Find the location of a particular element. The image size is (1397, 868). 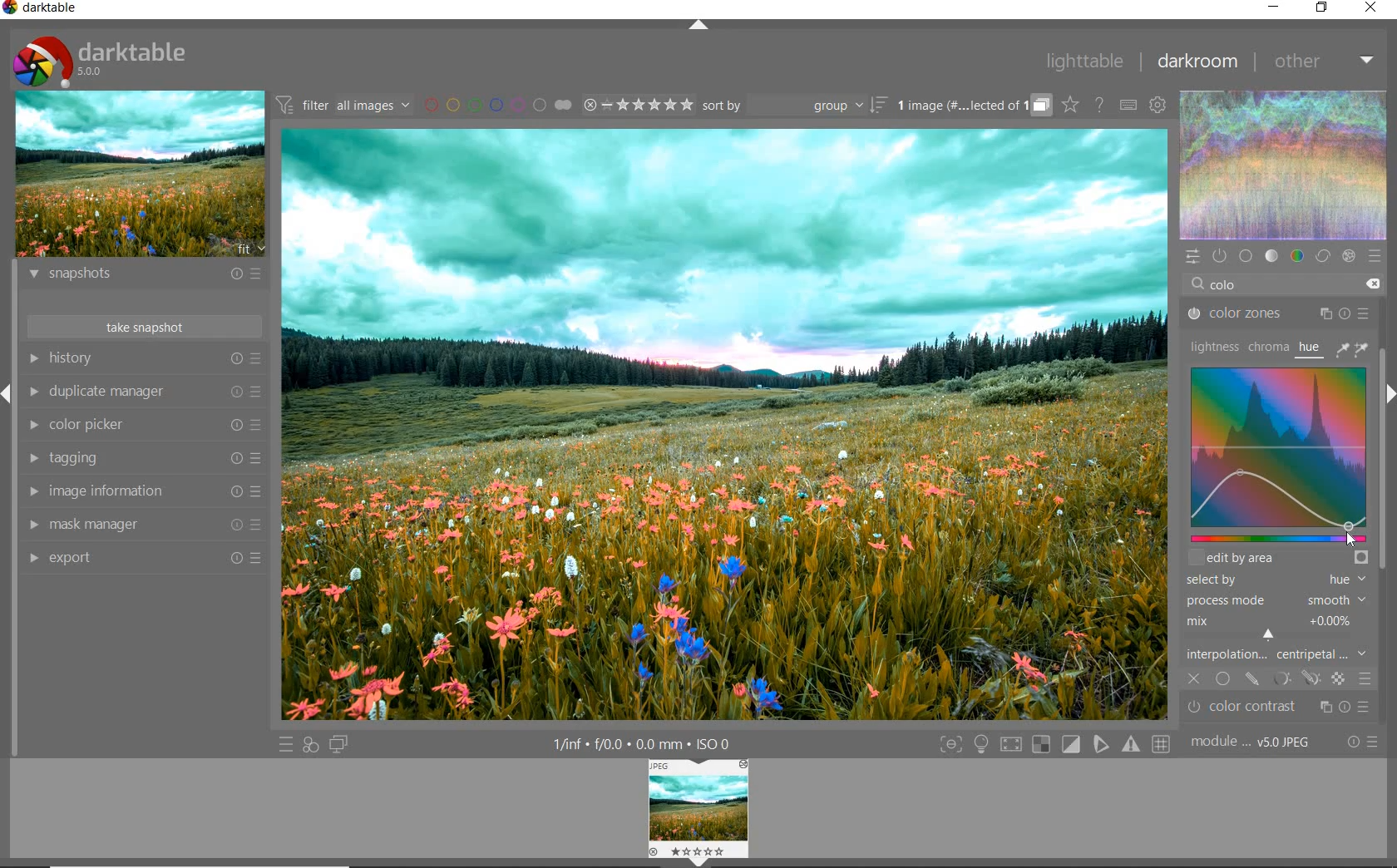

delete is located at coordinates (1373, 284).